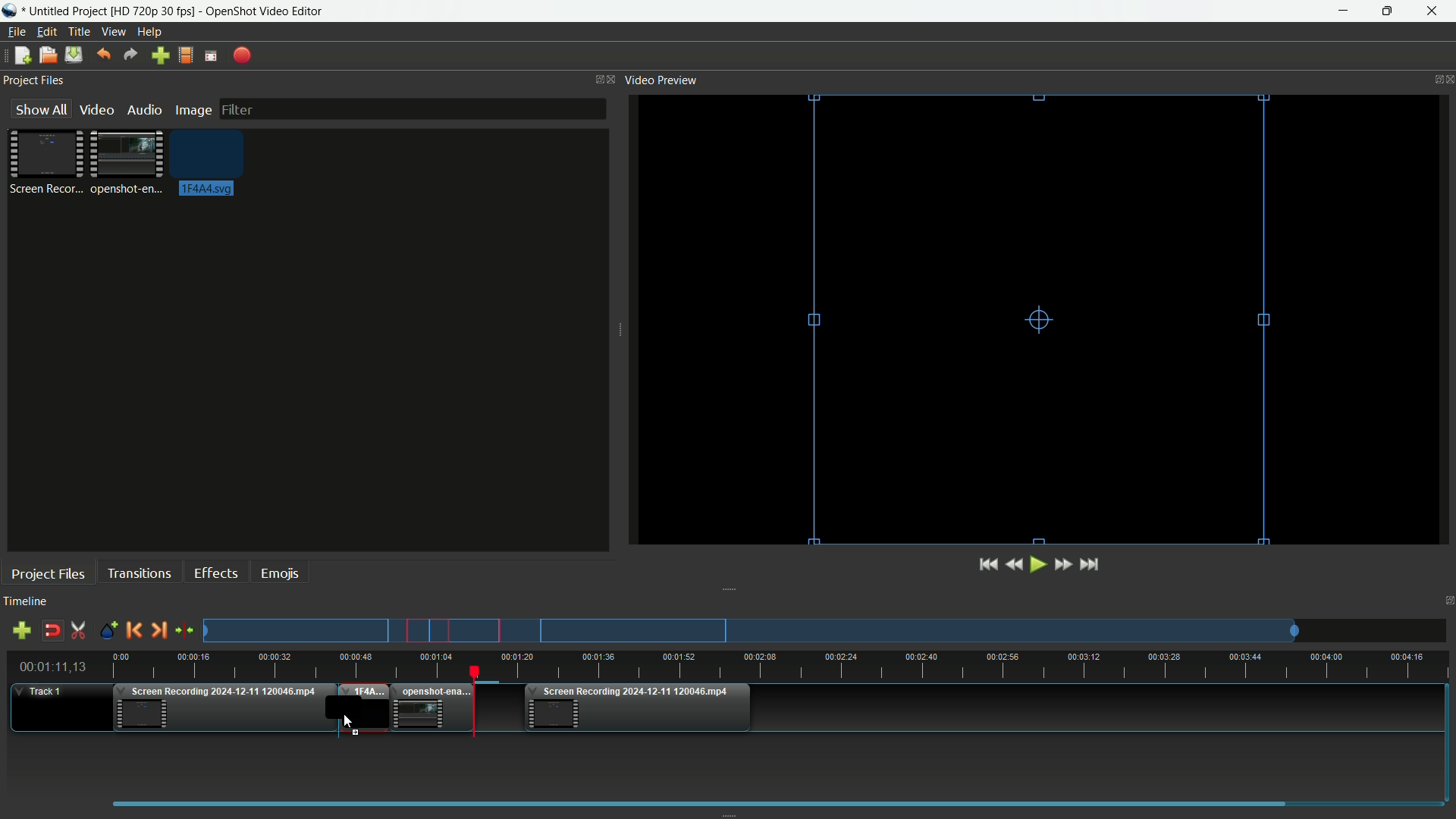  I want to click on Video, so click(95, 109).